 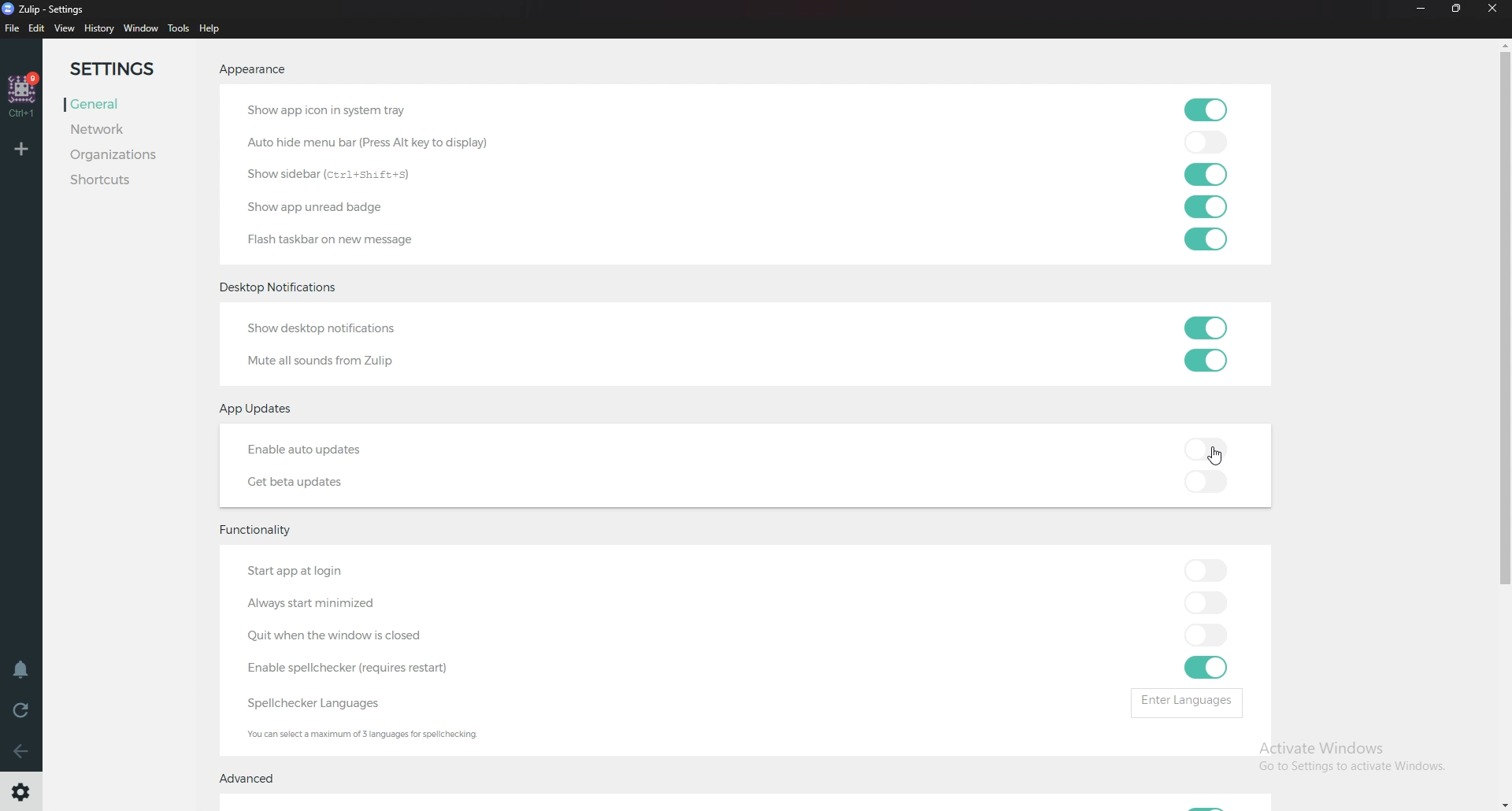 What do you see at coordinates (322, 361) in the screenshot?
I see `Mute all sounds from Zulip` at bounding box center [322, 361].